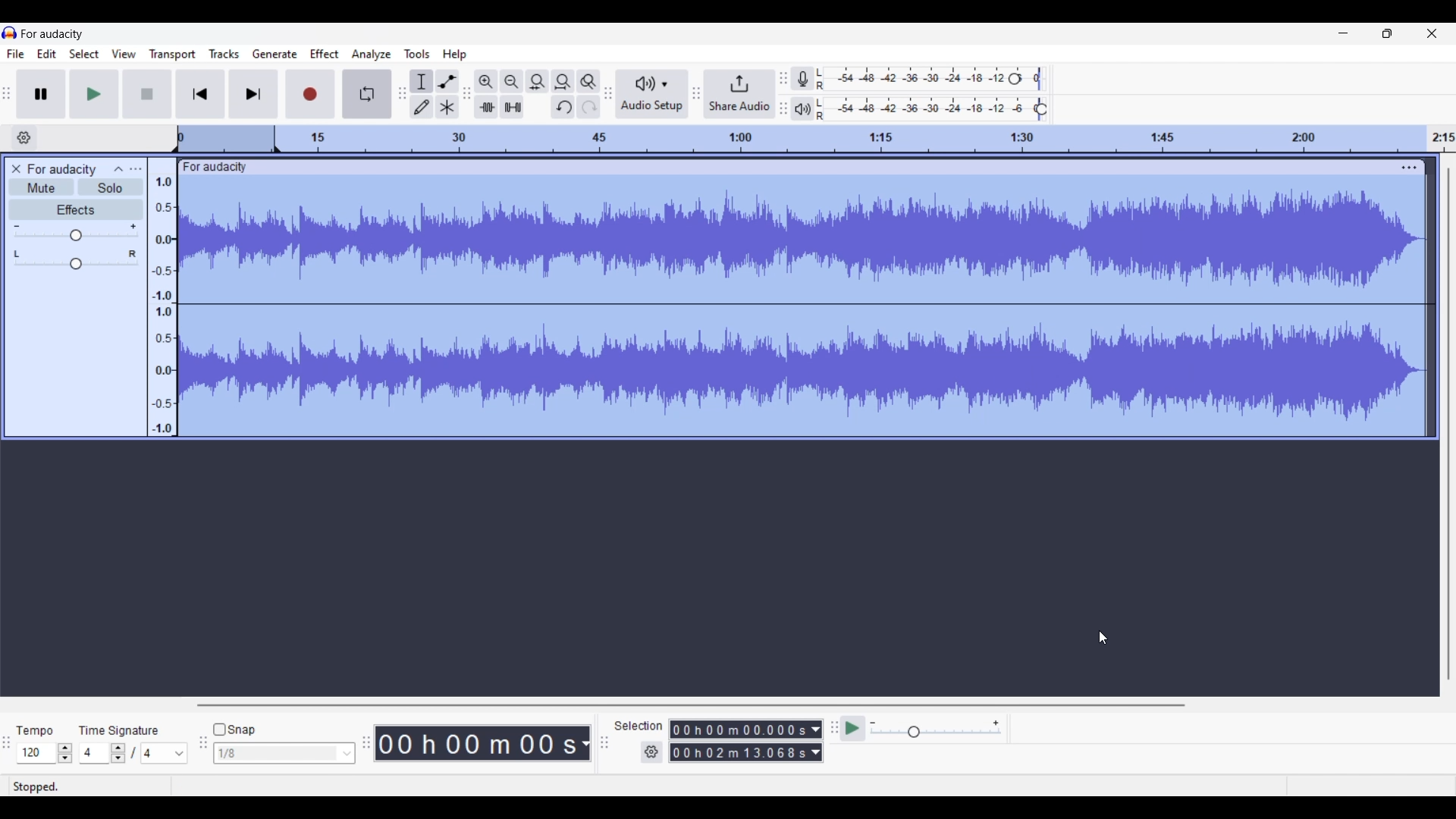 The width and height of the screenshot is (1456, 819). Describe the element at coordinates (1103, 638) in the screenshot. I see `Cursor position unchanged` at that location.